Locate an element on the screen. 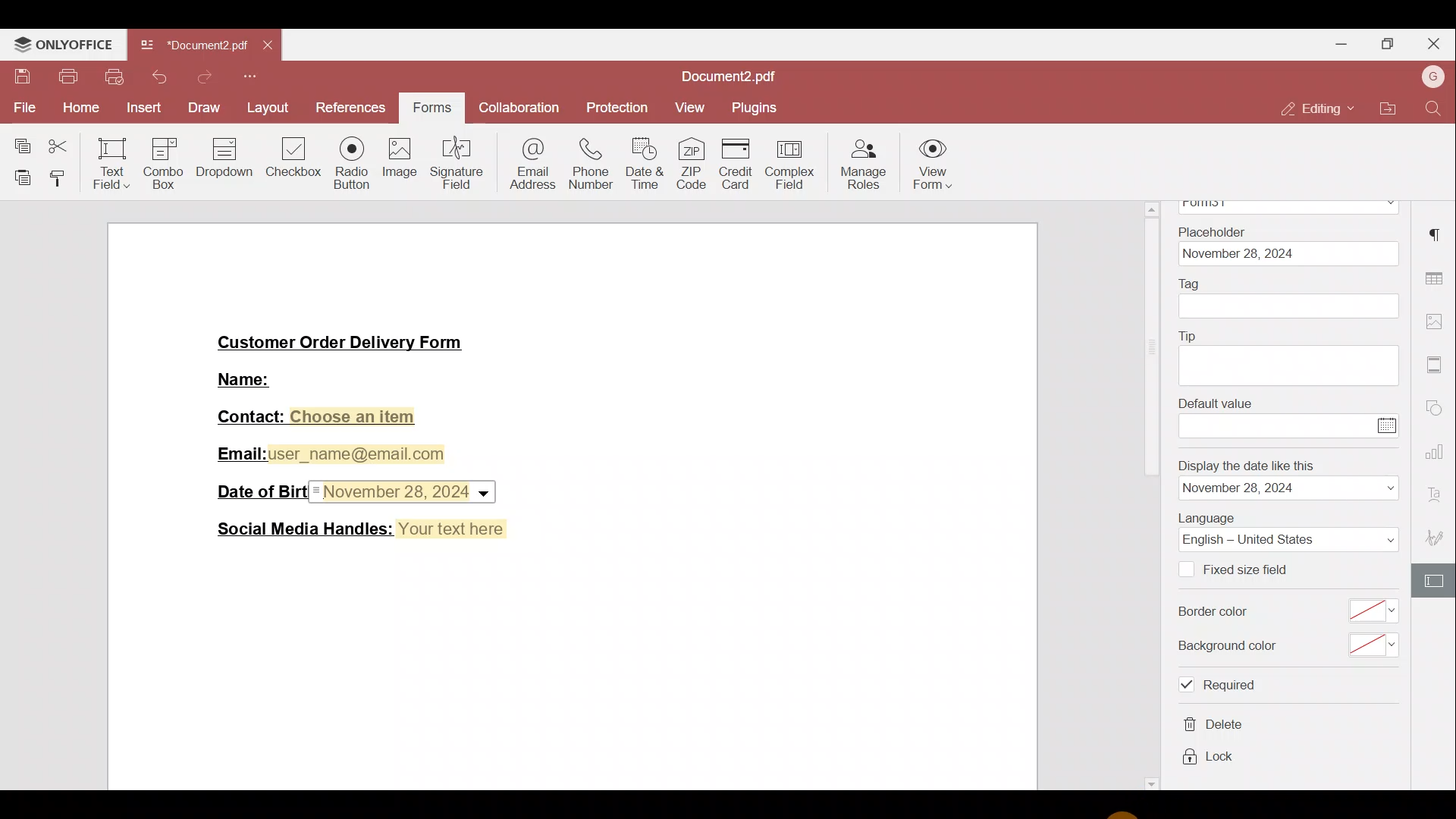  Form settings is located at coordinates (1437, 583).